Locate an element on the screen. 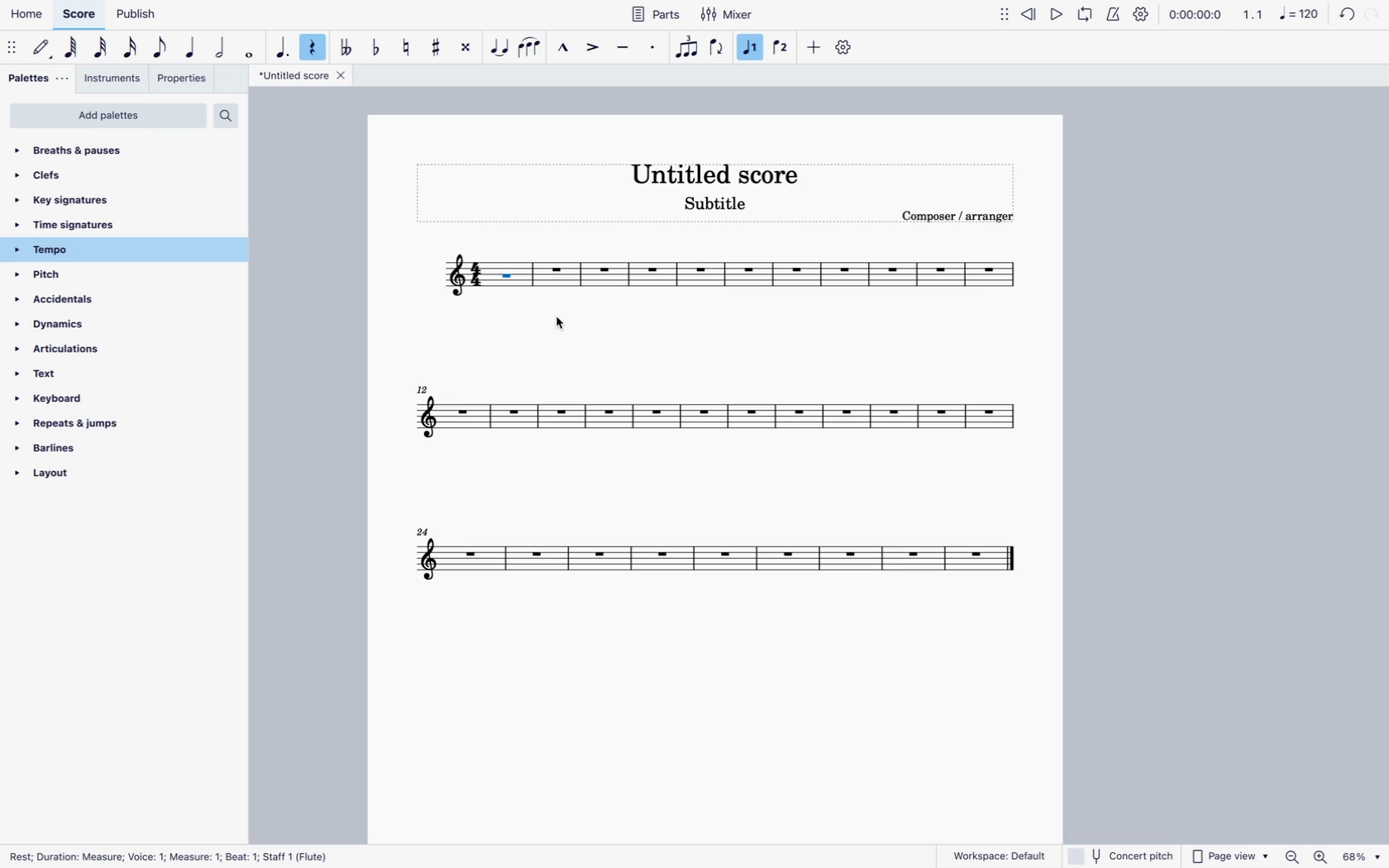  move is located at coordinates (1001, 14).